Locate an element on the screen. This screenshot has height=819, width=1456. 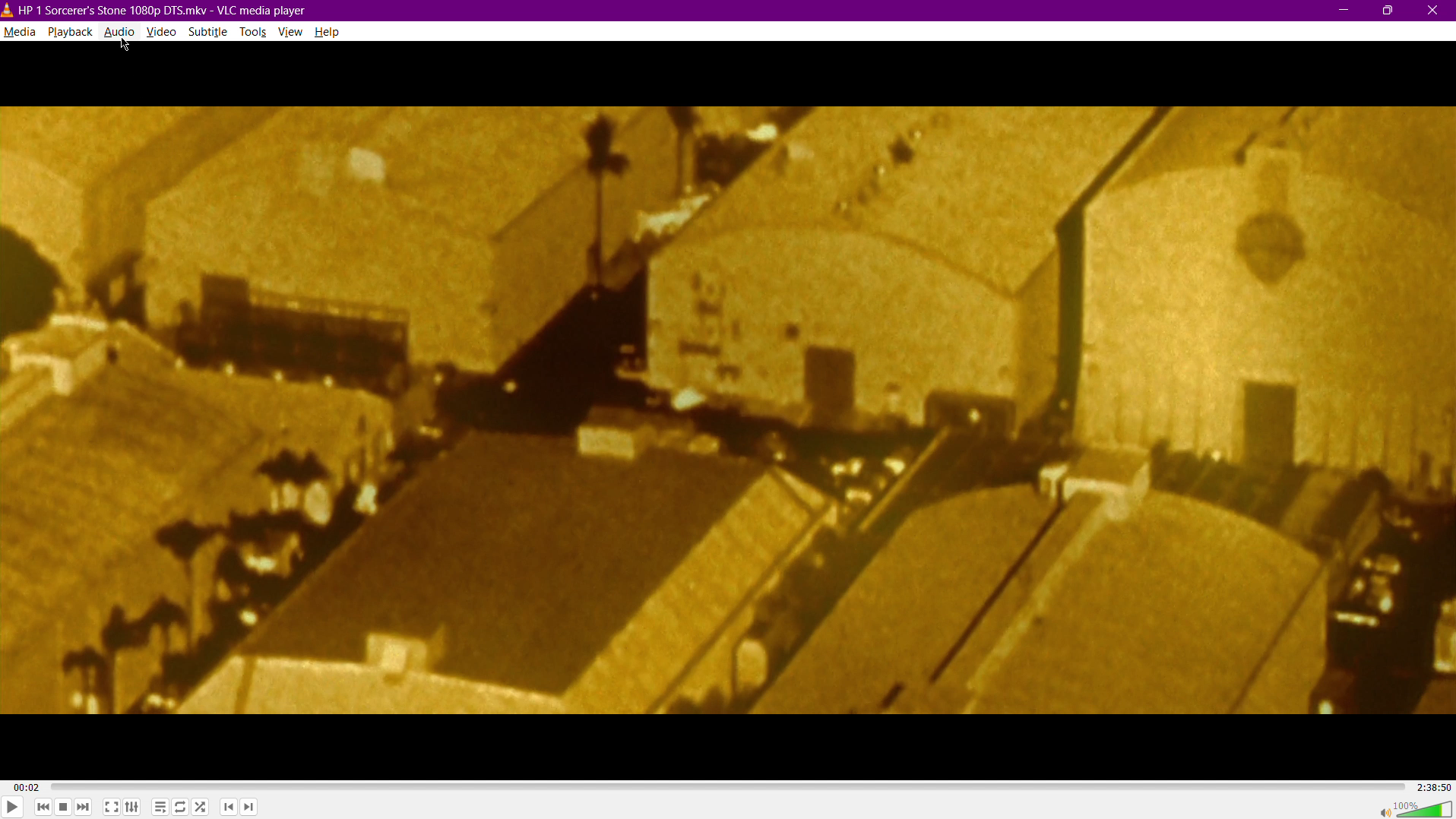
Maximize is located at coordinates (1389, 10).